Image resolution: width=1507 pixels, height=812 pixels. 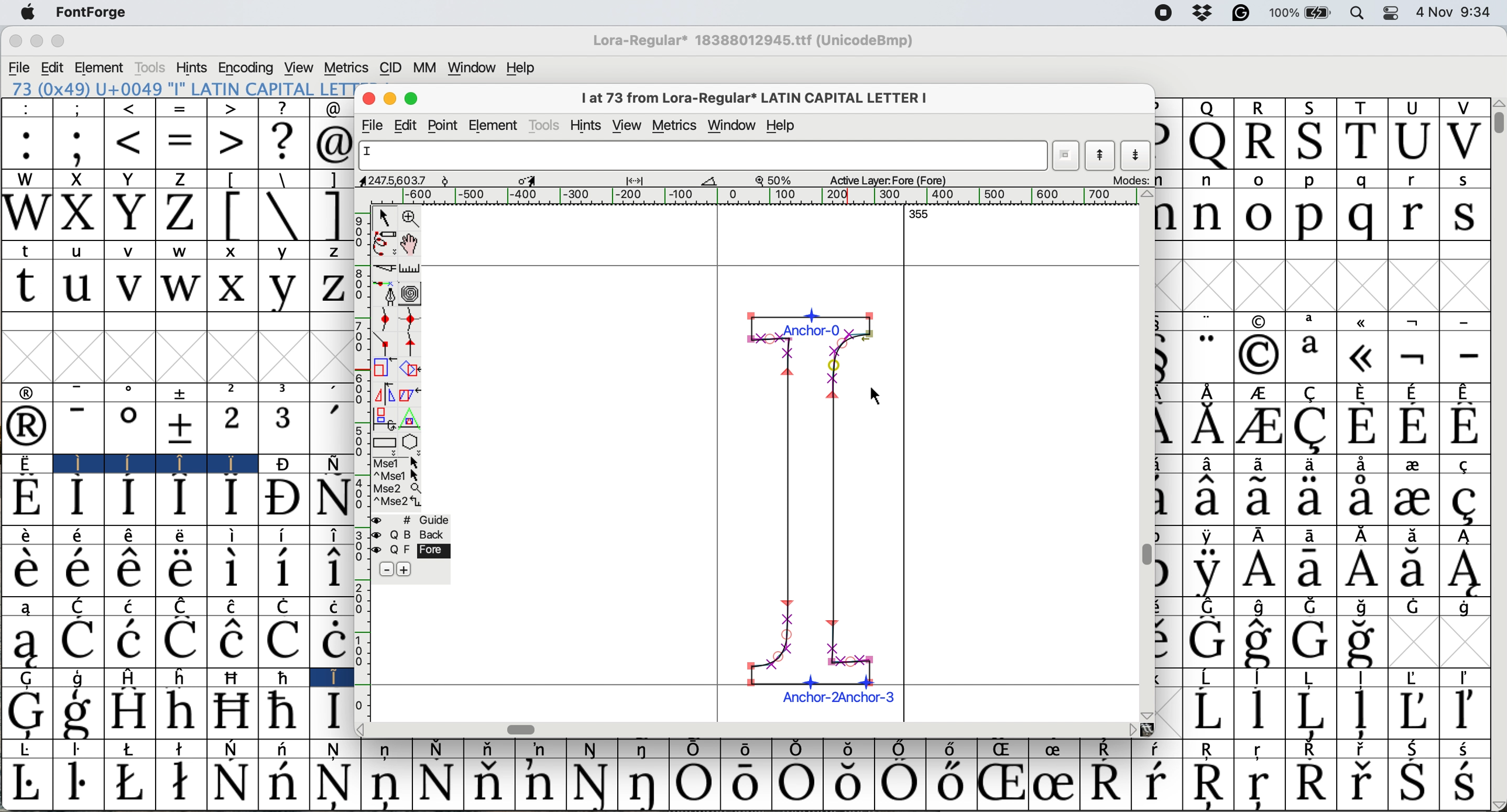 What do you see at coordinates (53, 68) in the screenshot?
I see `edit` at bounding box center [53, 68].